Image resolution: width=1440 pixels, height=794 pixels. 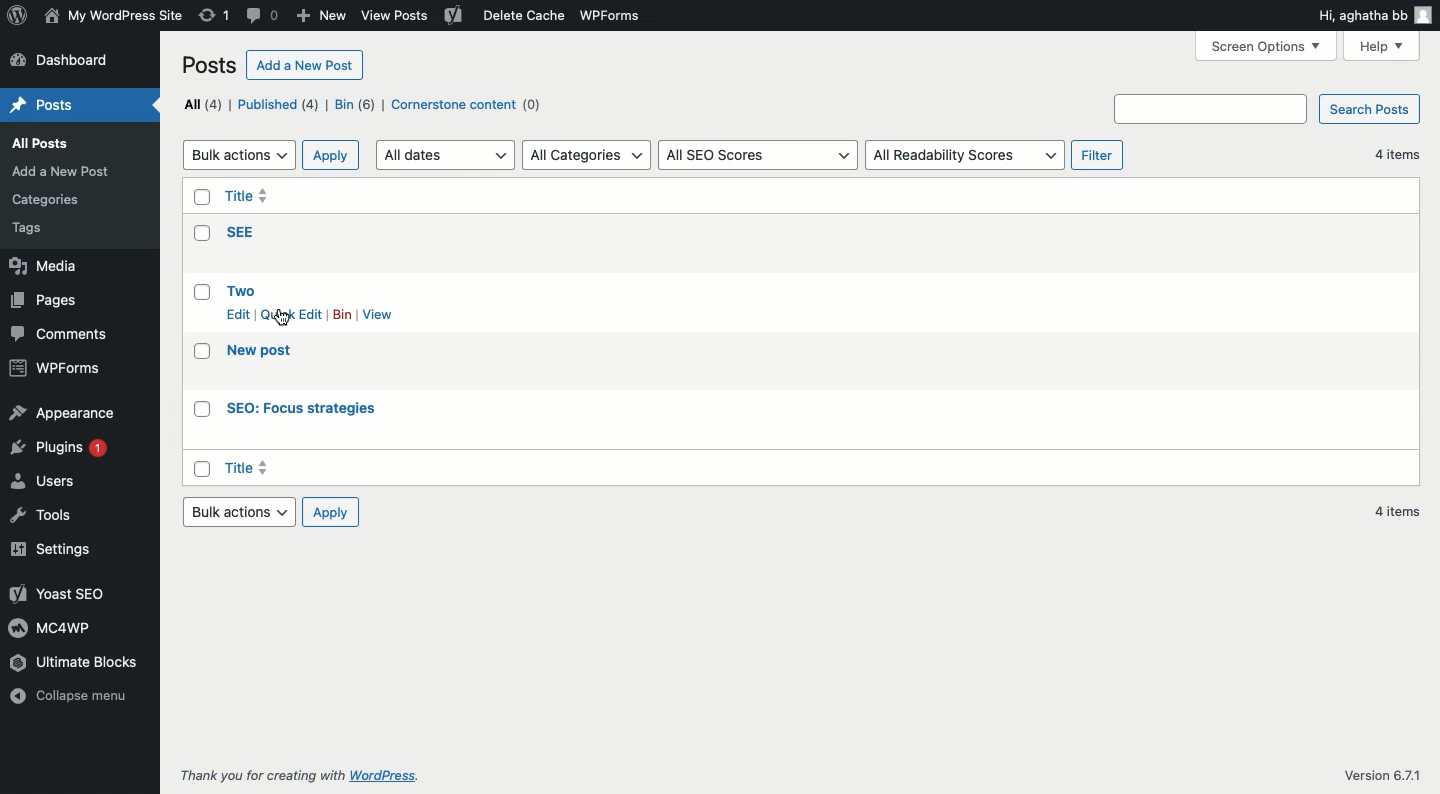 I want to click on Pages, so click(x=47, y=301).